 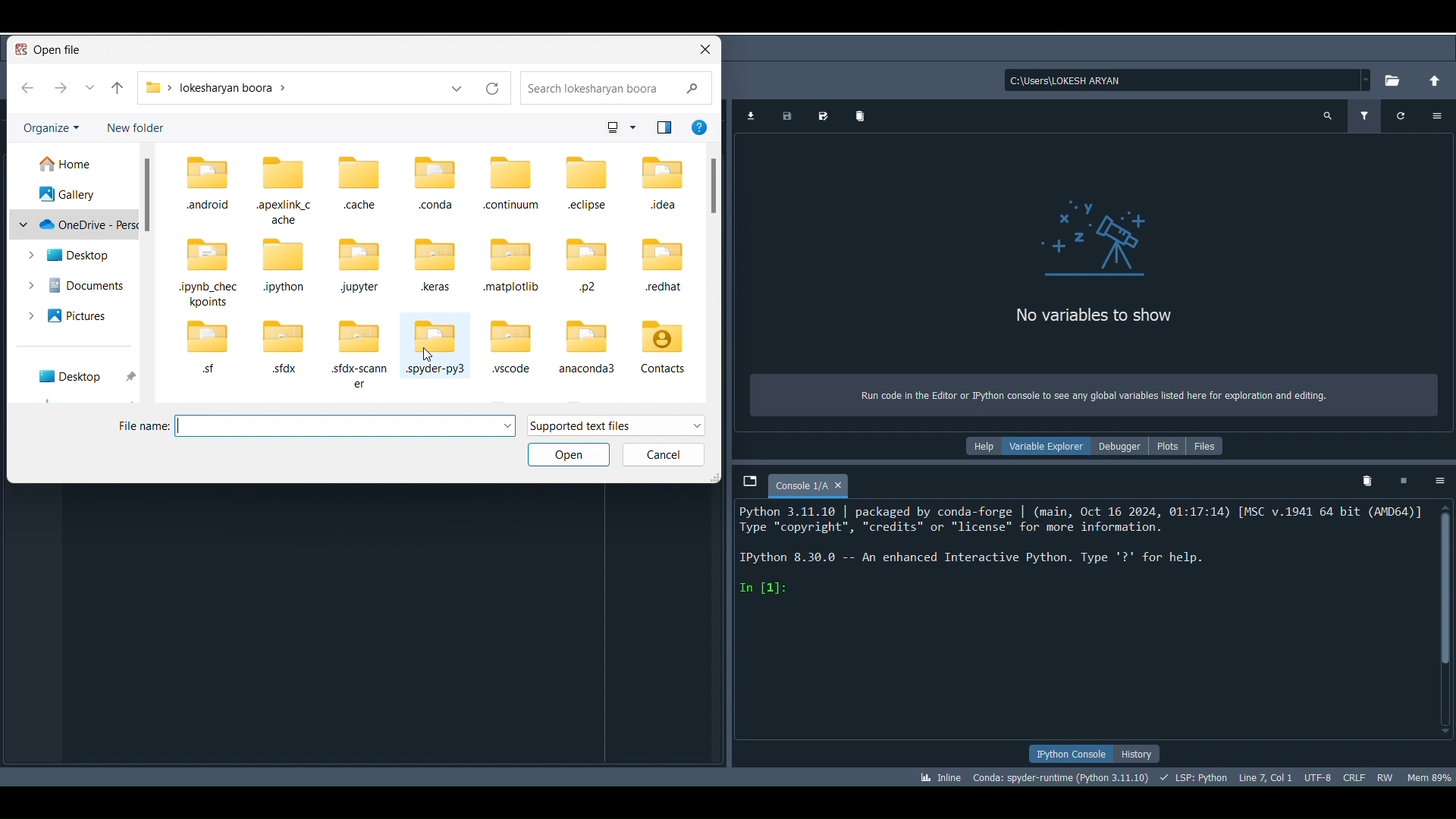 I want to click on Click to toggle between inline and interactive Matplotlib plotting, so click(x=945, y=775).